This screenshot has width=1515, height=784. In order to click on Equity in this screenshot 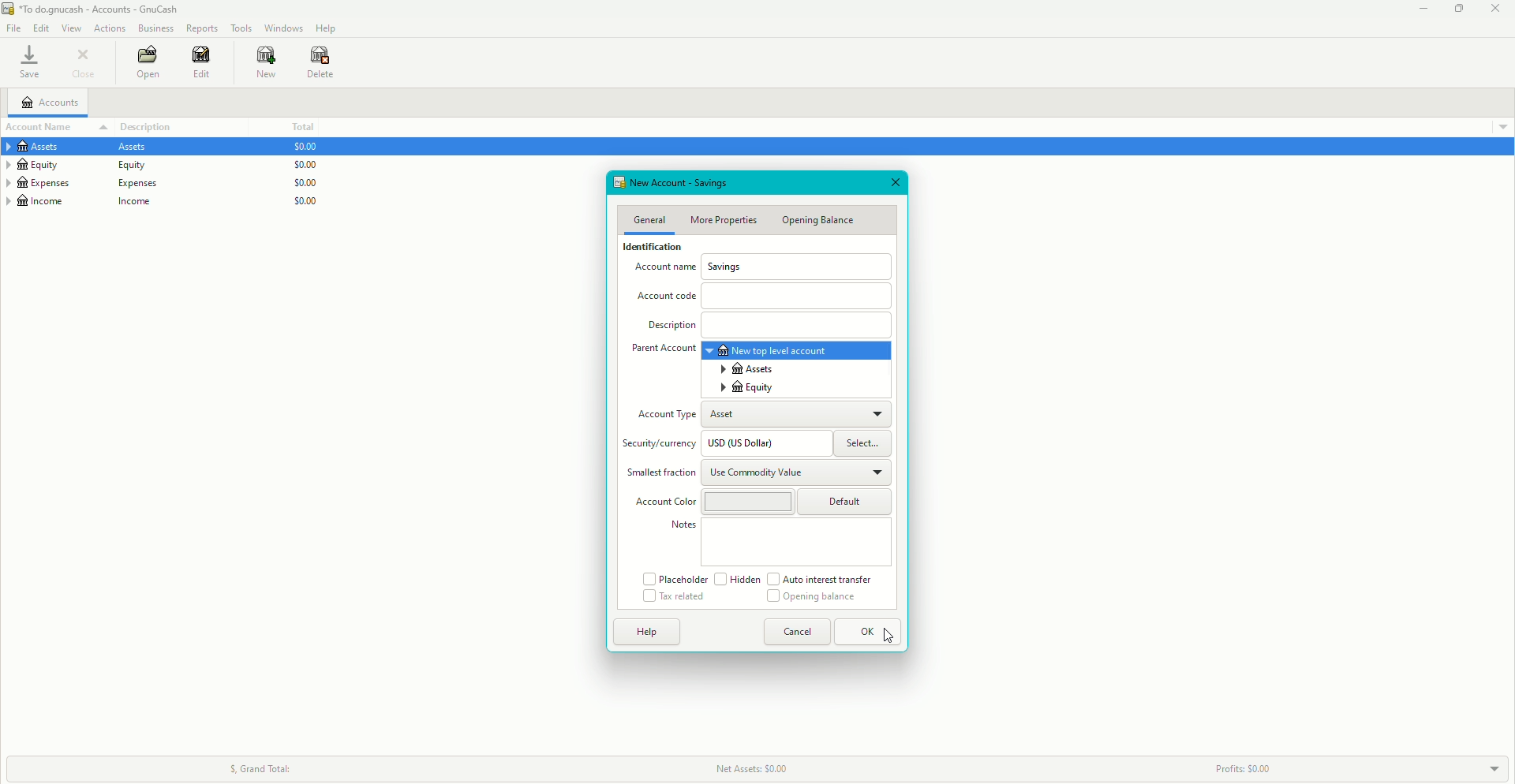, I will do `click(749, 388)`.